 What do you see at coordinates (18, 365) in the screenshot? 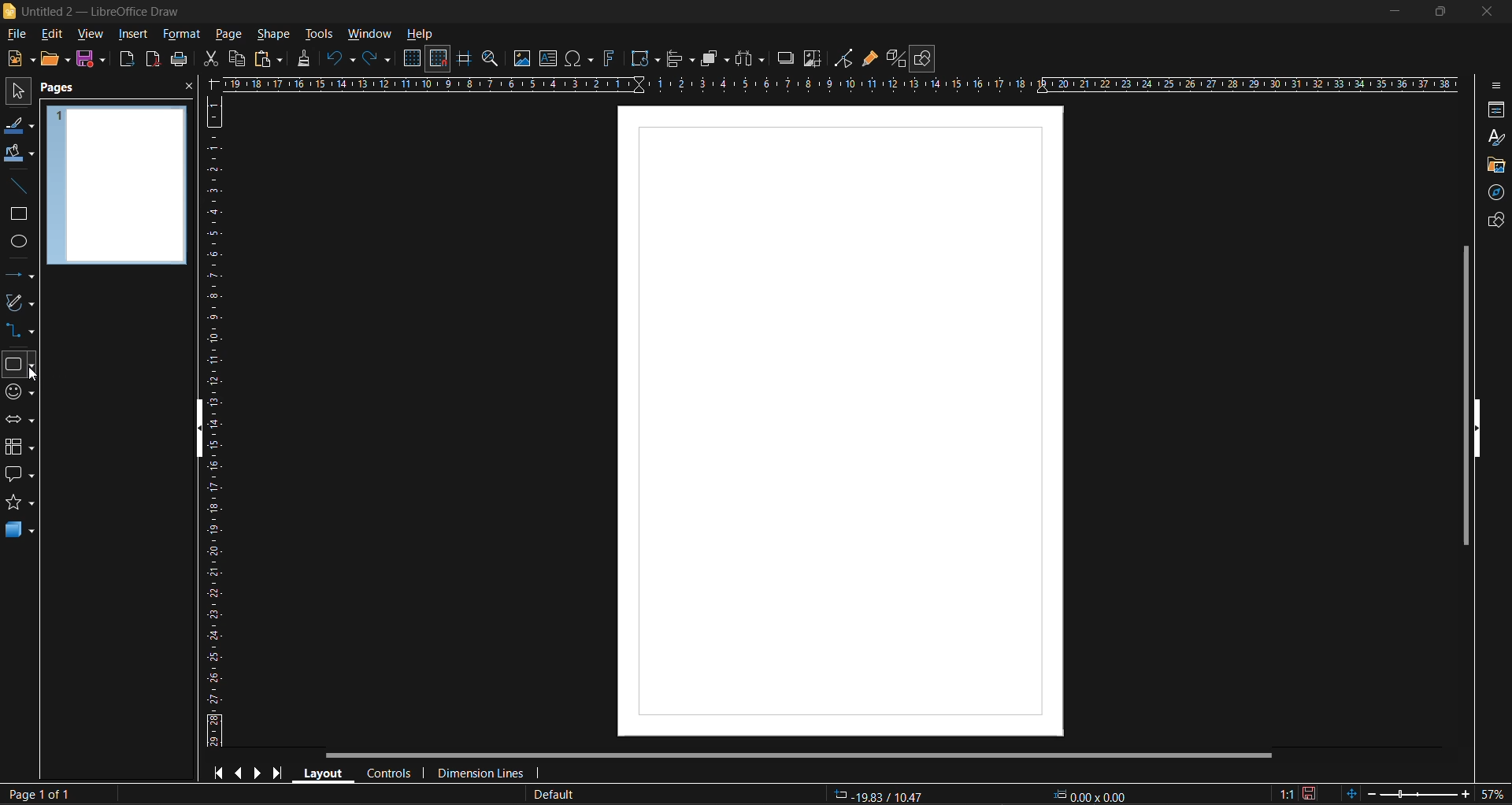
I see `basic shapes` at bounding box center [18, 365].